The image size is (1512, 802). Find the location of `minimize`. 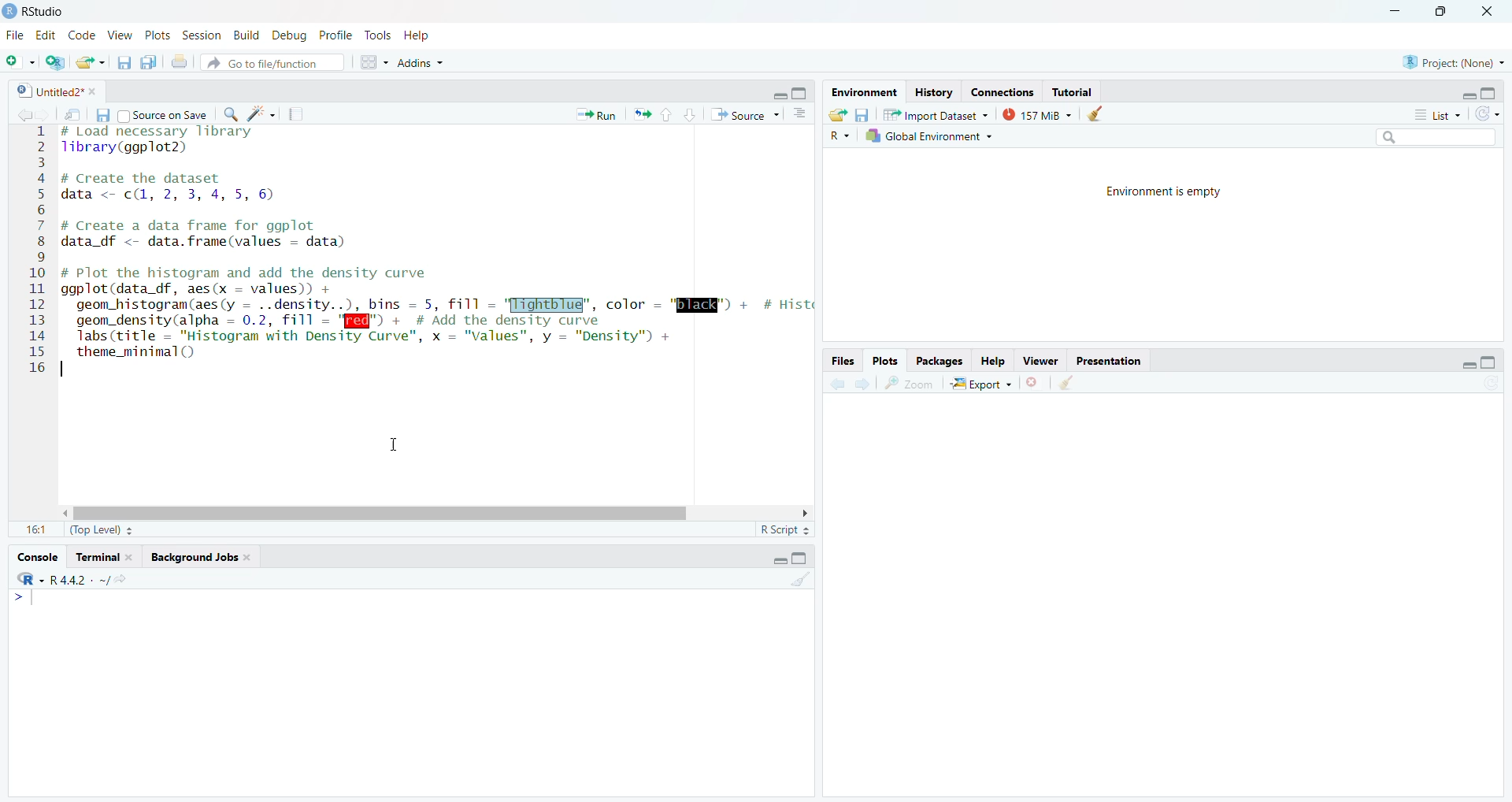

minimize is located at coordinates (1471, 94).